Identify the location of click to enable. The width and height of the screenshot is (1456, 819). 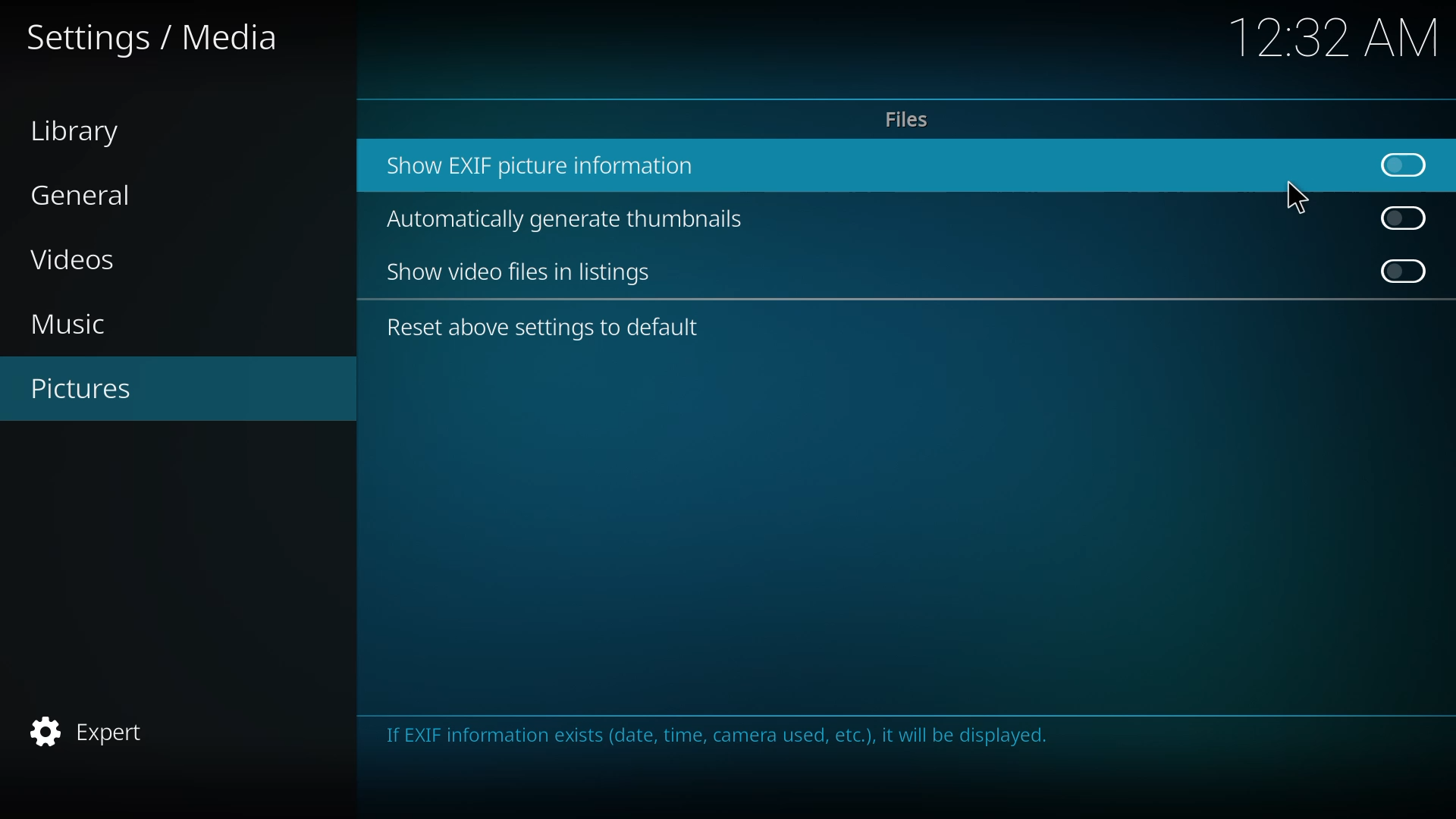
(1399, 216).